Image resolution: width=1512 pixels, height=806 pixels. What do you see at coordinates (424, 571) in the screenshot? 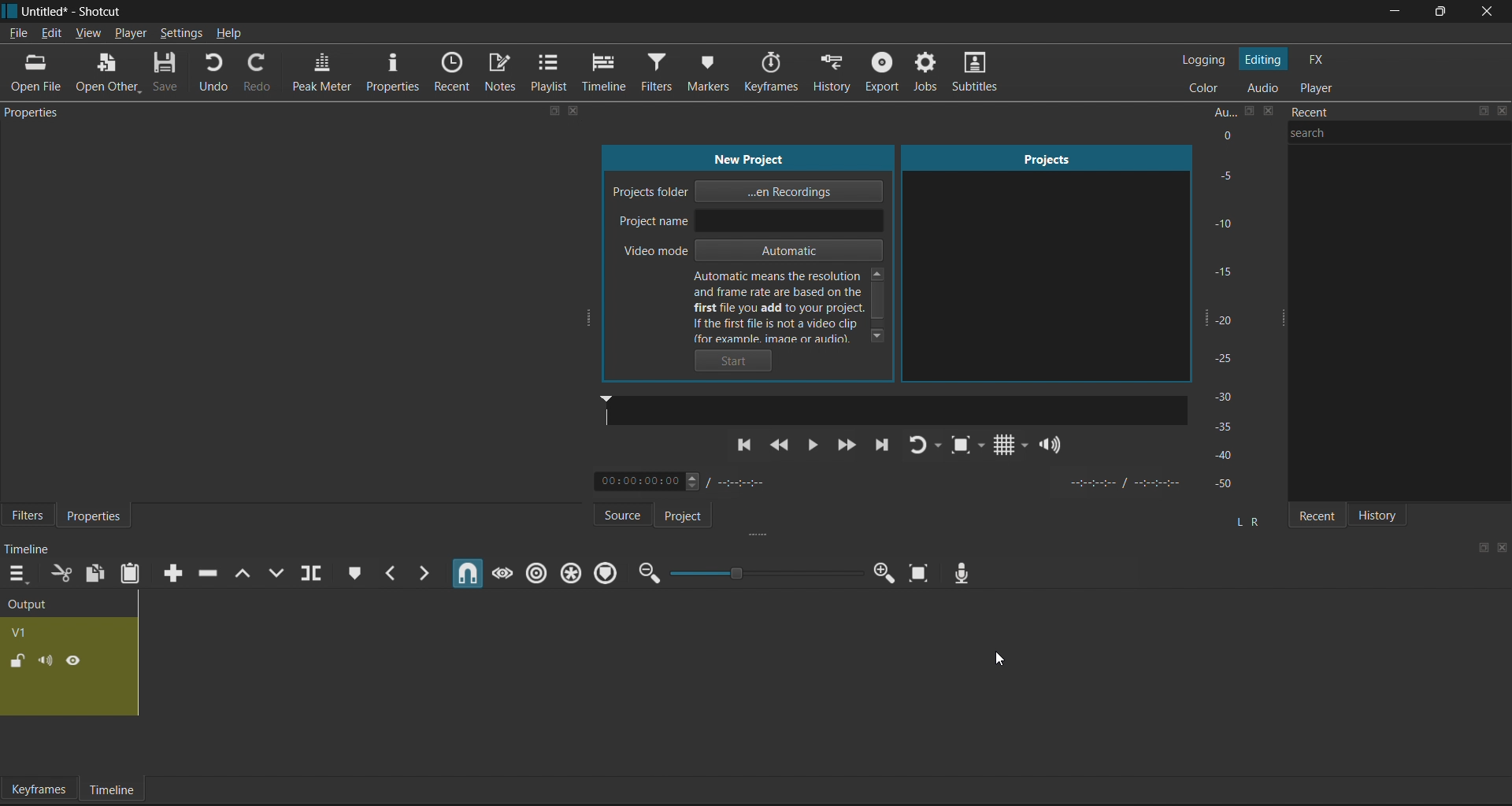
I see `Next marker` at bounding box center [424, 571].